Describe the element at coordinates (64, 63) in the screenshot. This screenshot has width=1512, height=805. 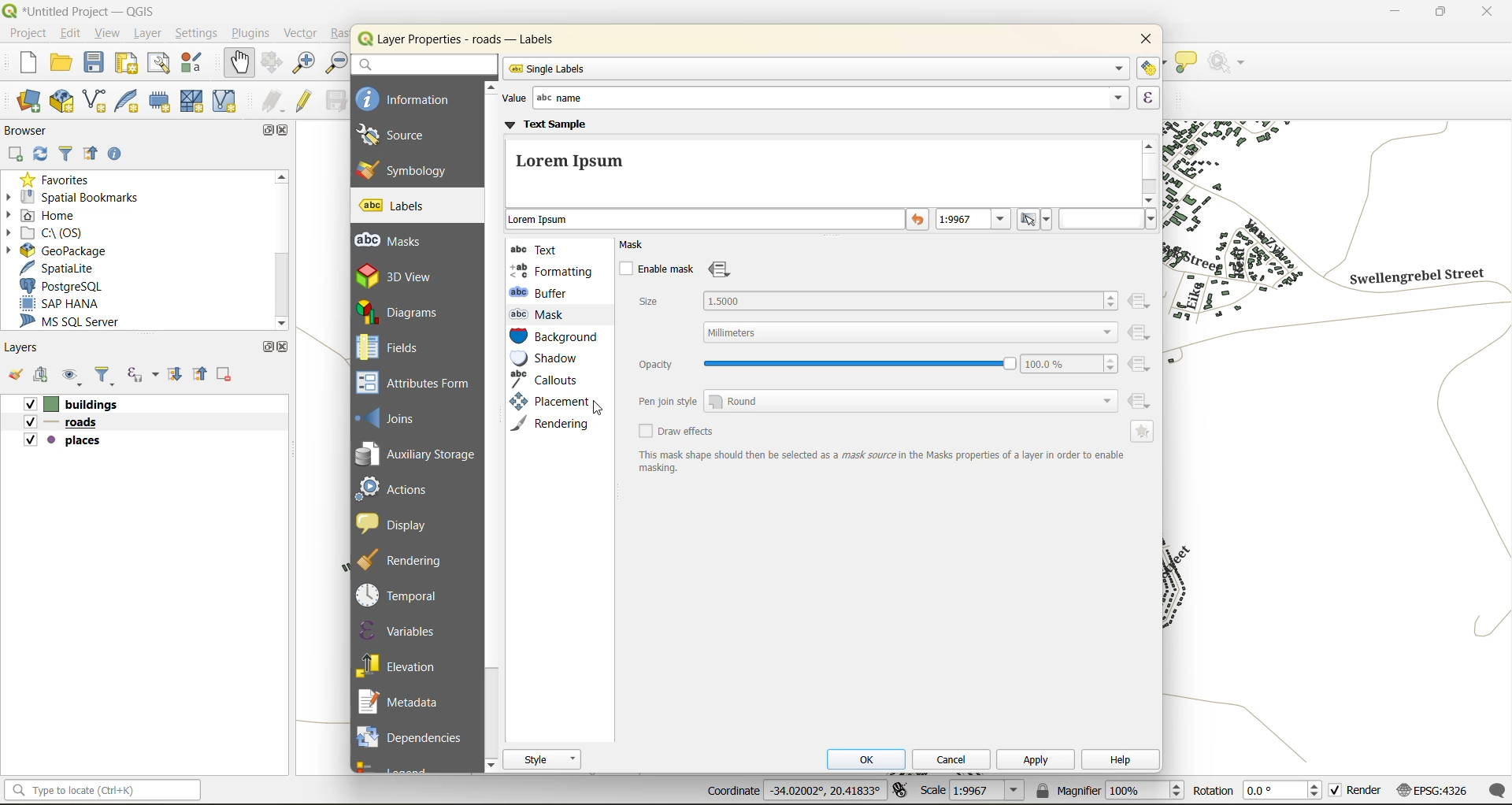
I see `open` at that location.